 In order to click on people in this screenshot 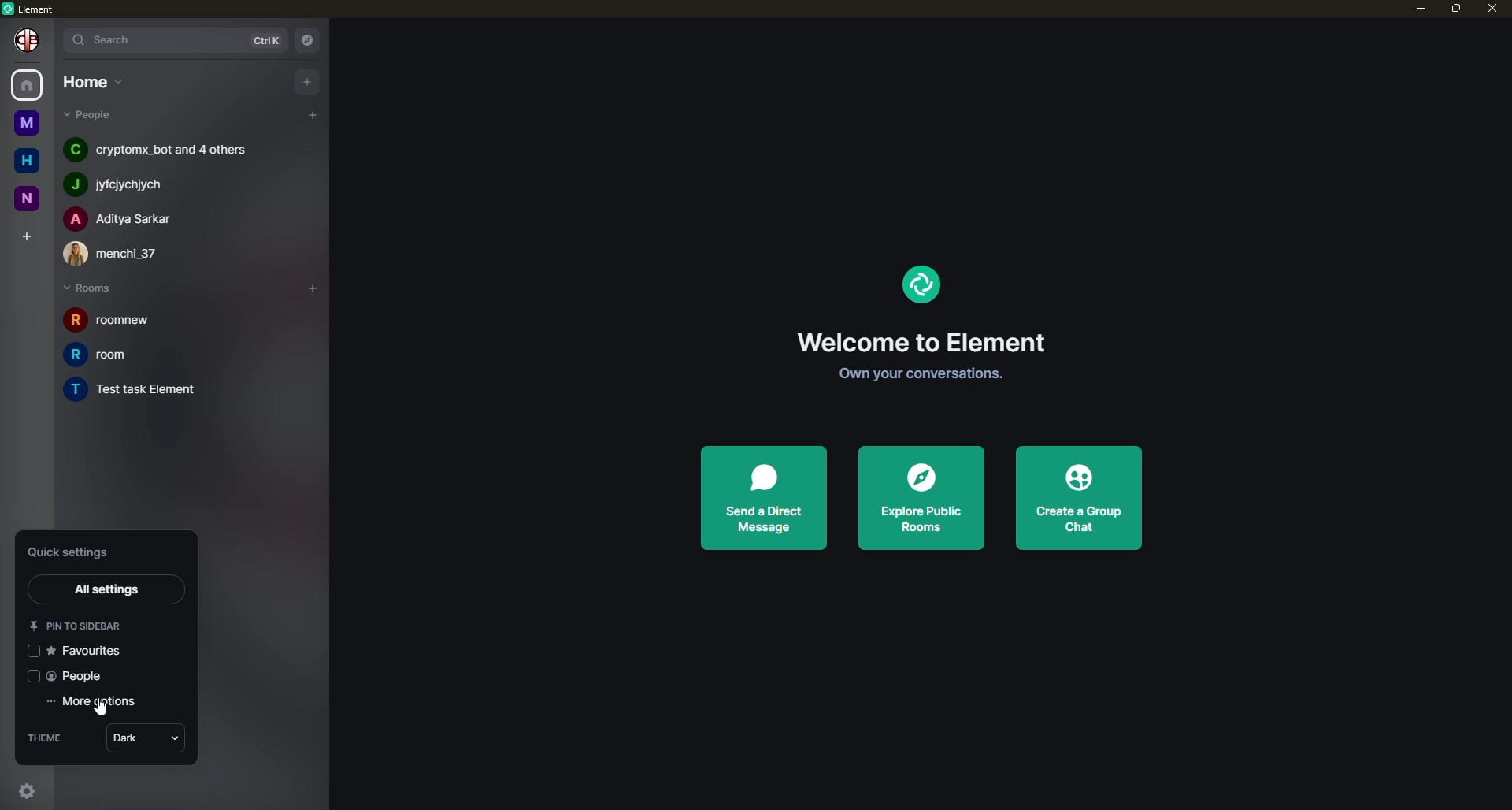, I will do `click(124, 218)`.